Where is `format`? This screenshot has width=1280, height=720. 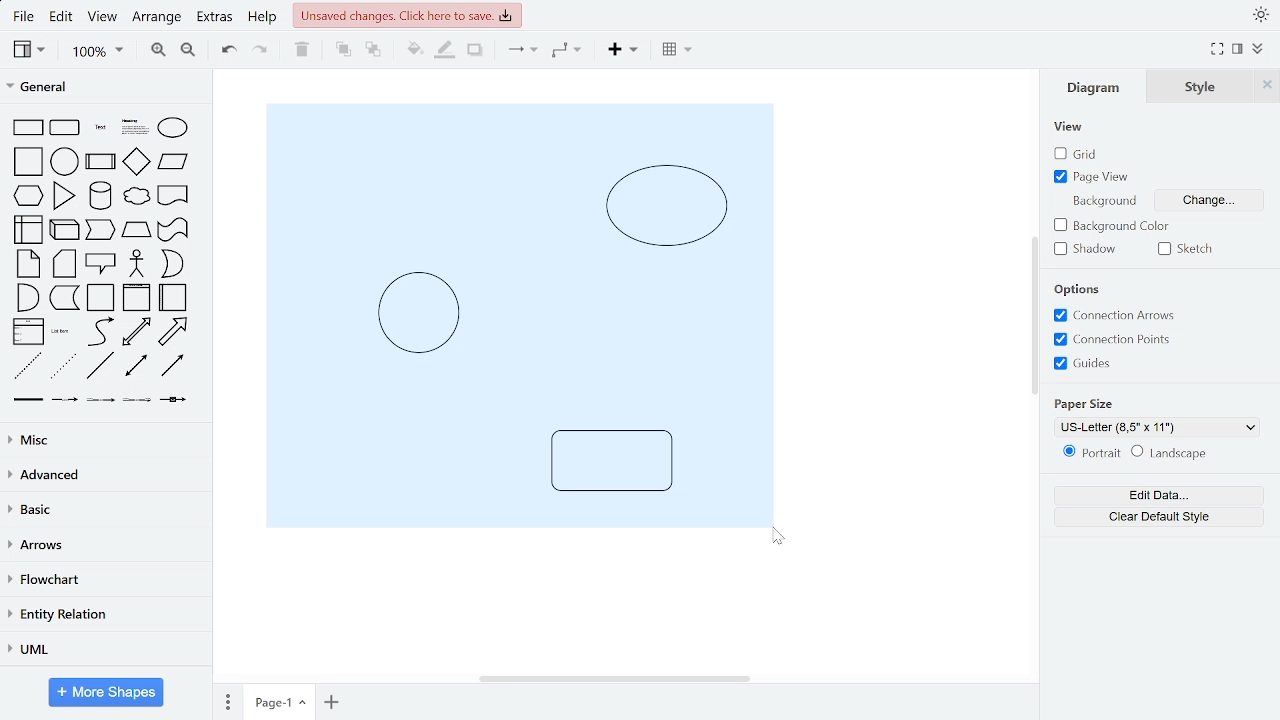
format is located at coordinates (1237, 49).